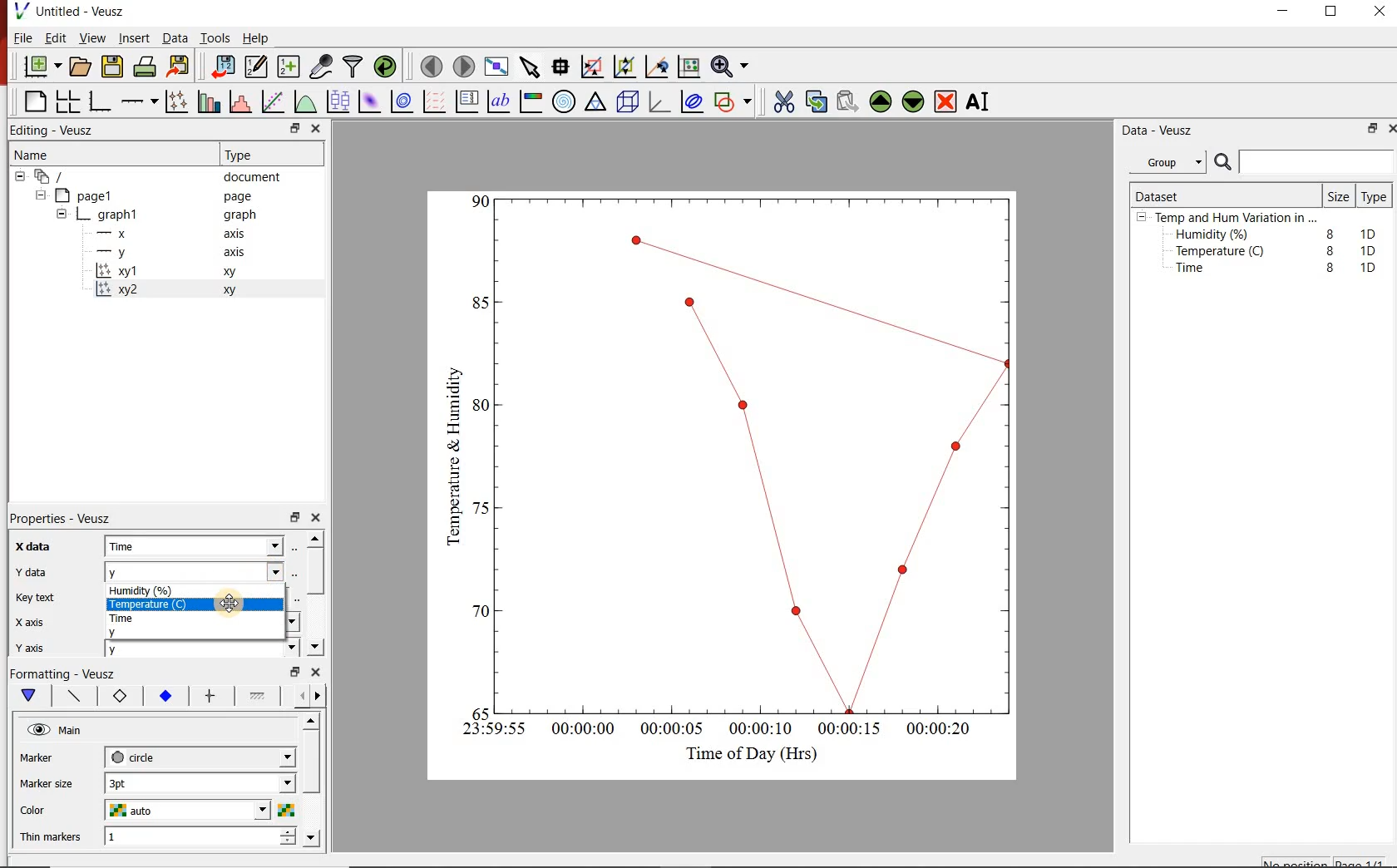 The width and height of the screenshot is (1397, 868). I want to click on Thin Markers, so click(53, 838).